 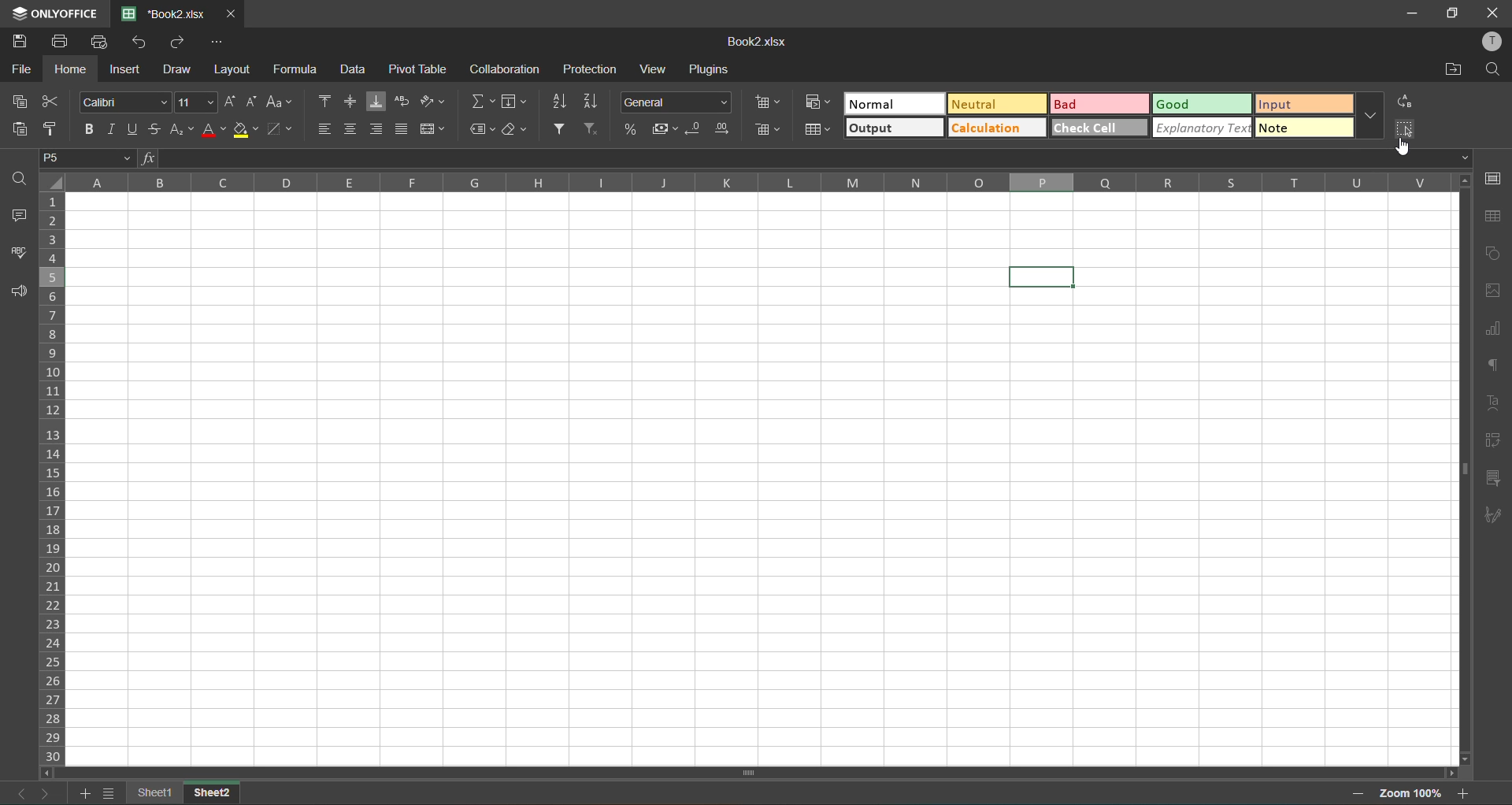 I want to click on explanatoy text, so click(x=1199, y=127).